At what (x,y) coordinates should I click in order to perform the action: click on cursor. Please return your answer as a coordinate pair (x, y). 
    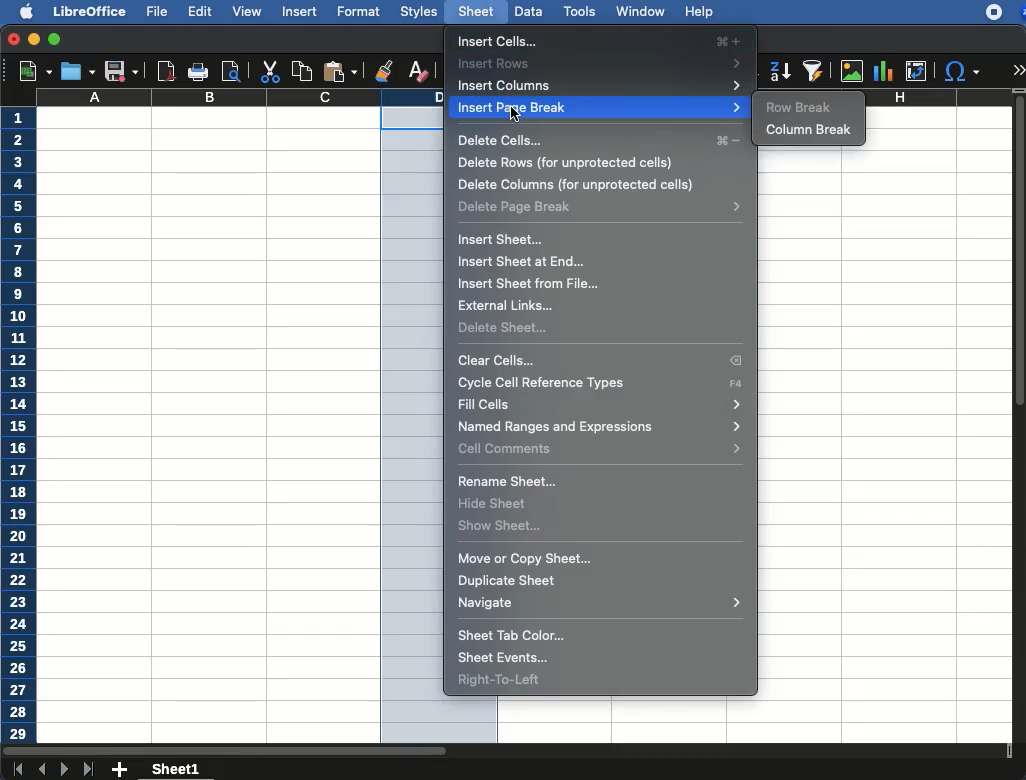
    Looking at the image, I should click on (517, 114).